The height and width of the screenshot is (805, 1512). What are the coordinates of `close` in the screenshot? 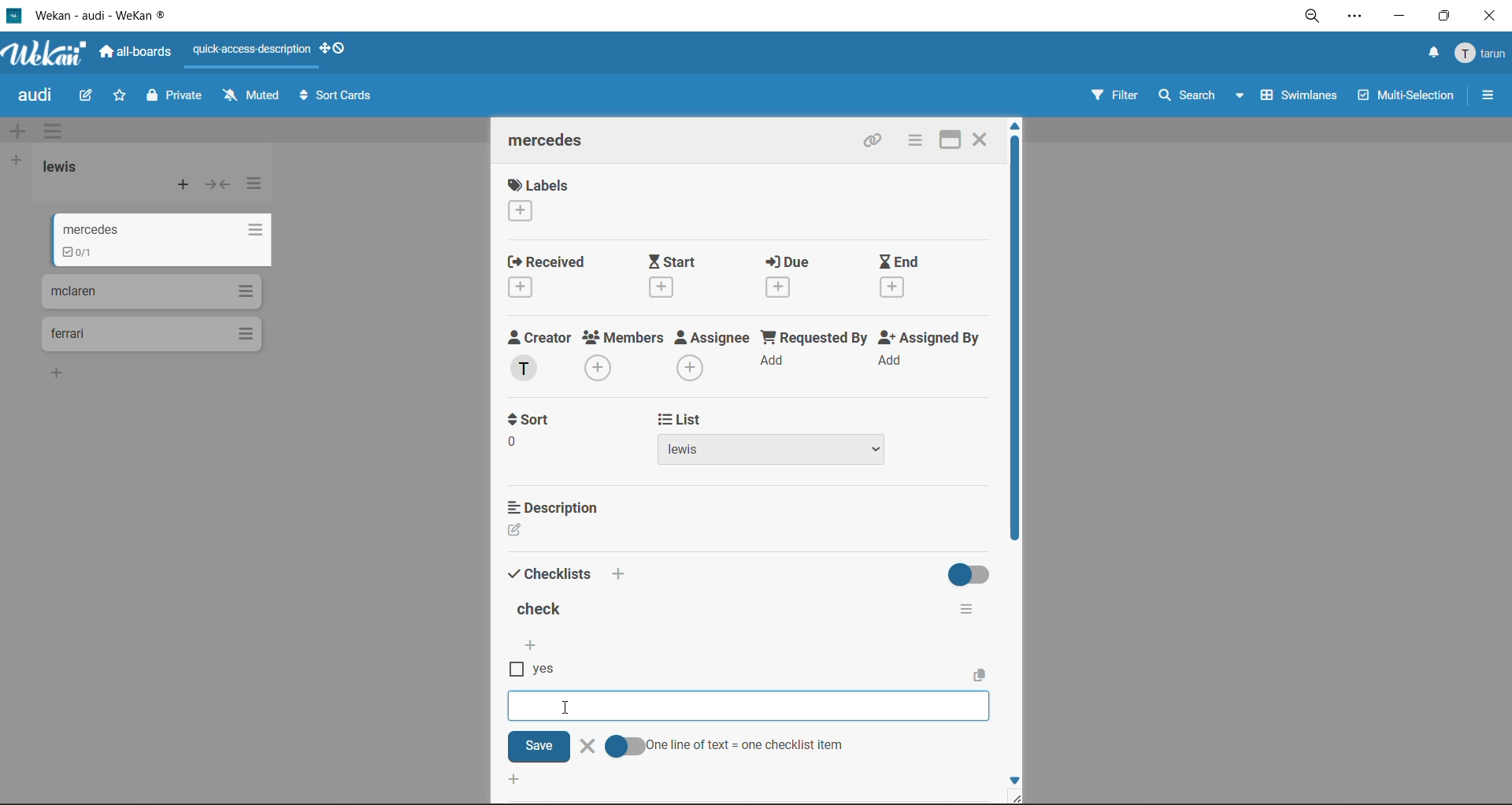 It's located at (981, 137).